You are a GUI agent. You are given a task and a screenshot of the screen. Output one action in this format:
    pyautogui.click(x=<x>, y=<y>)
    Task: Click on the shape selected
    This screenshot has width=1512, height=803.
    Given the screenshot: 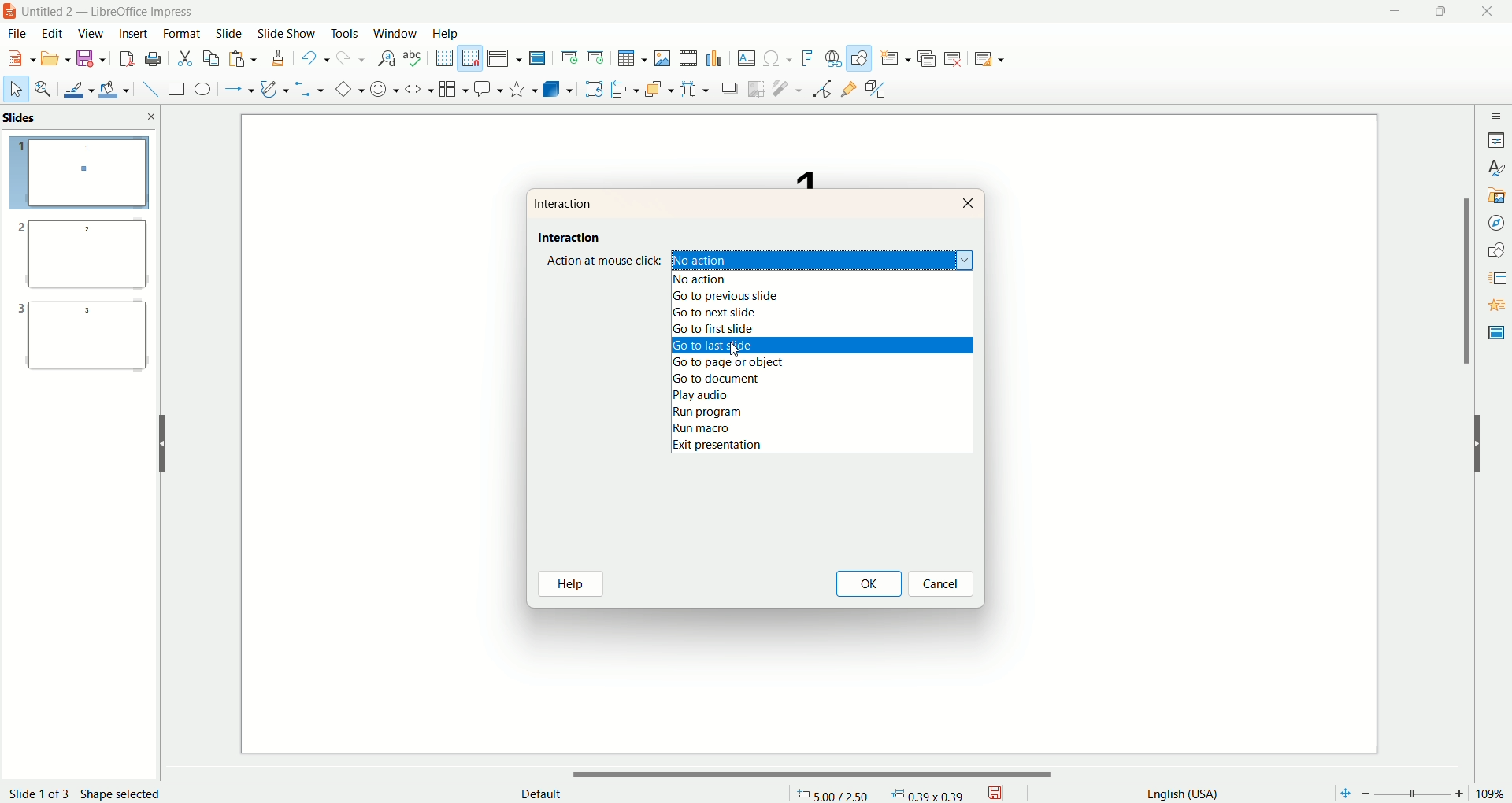 What is the action you would take?
    pyautogui.click(x=124, y=792)
    